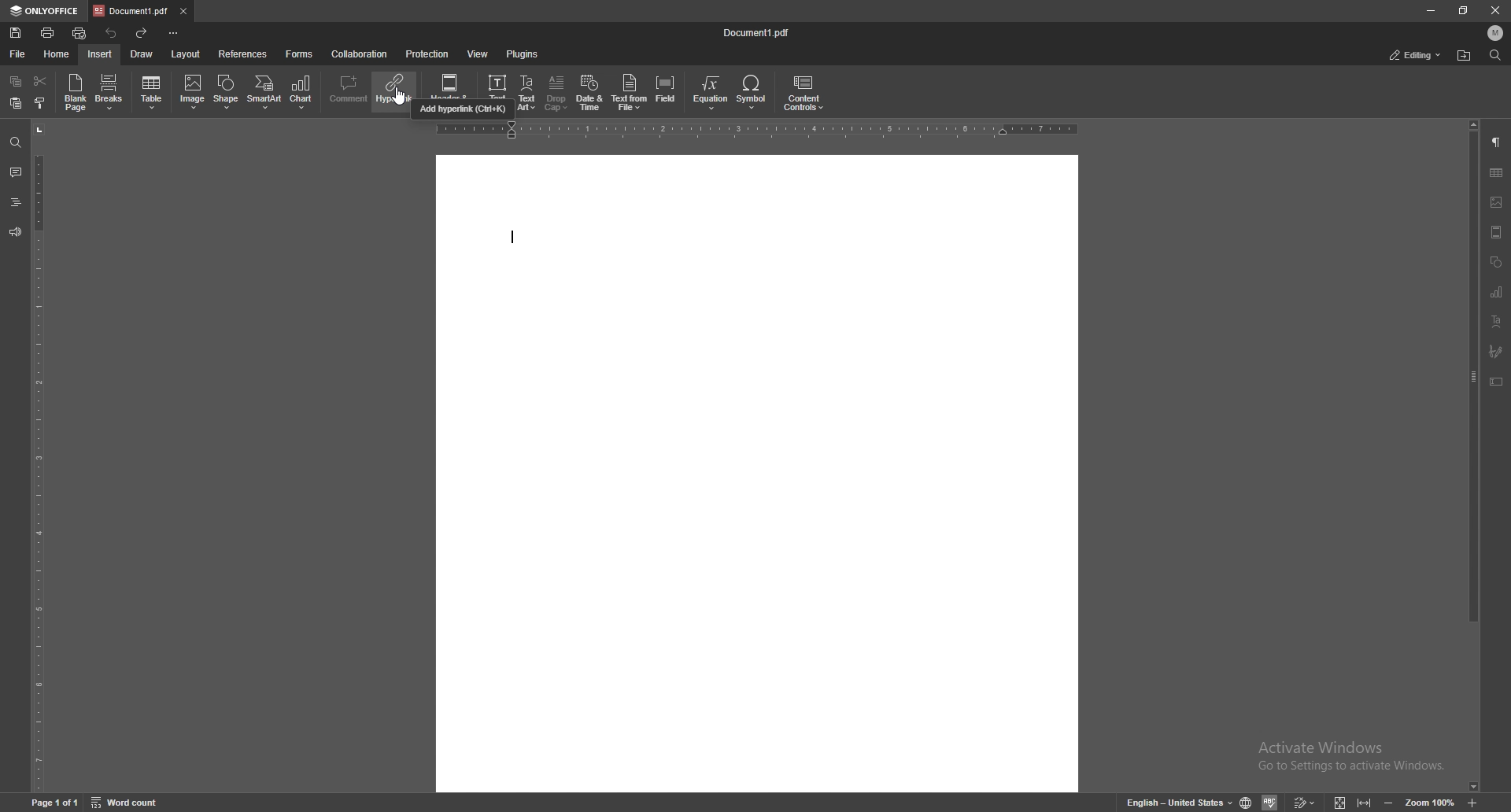 The width and height of the screenshot is (1511, 812). What do you see at coordinates (142, 32) in the screenshot?
I see `redo` at bounding box center [142, 32].